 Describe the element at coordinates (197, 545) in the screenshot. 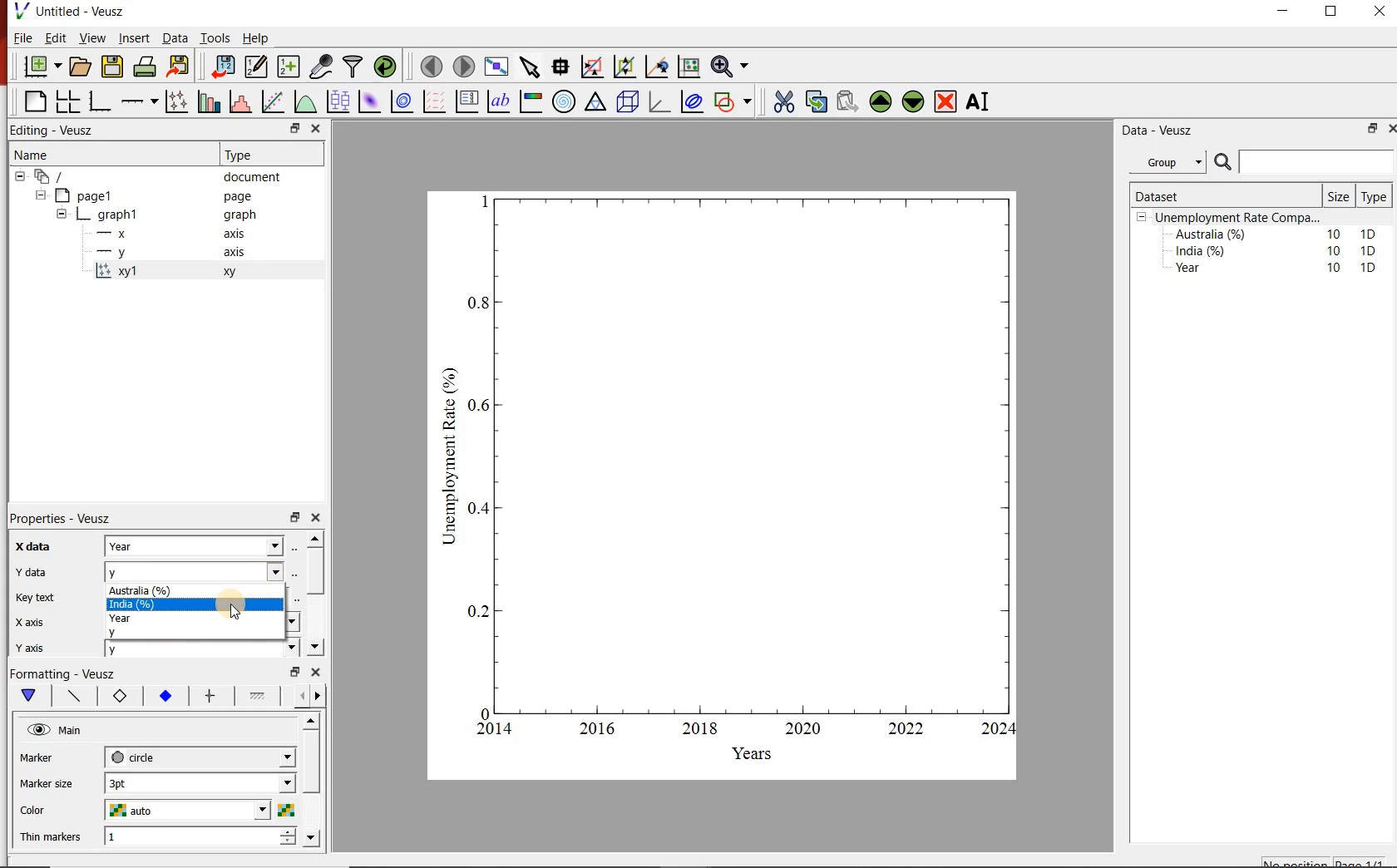

I see `Year` at that location.